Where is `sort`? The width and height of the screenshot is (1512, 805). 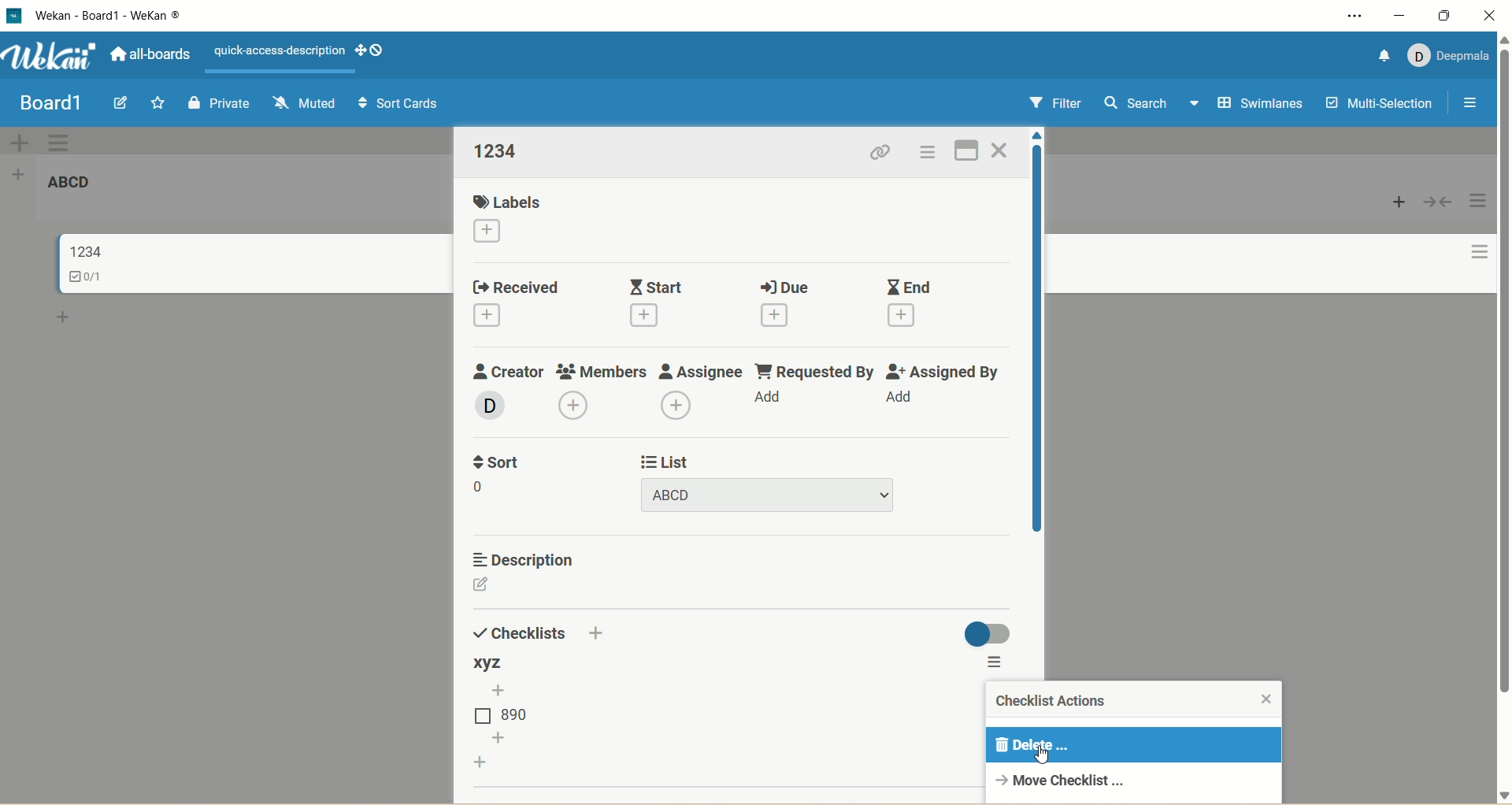 sort is located at coordinates (500, 462).